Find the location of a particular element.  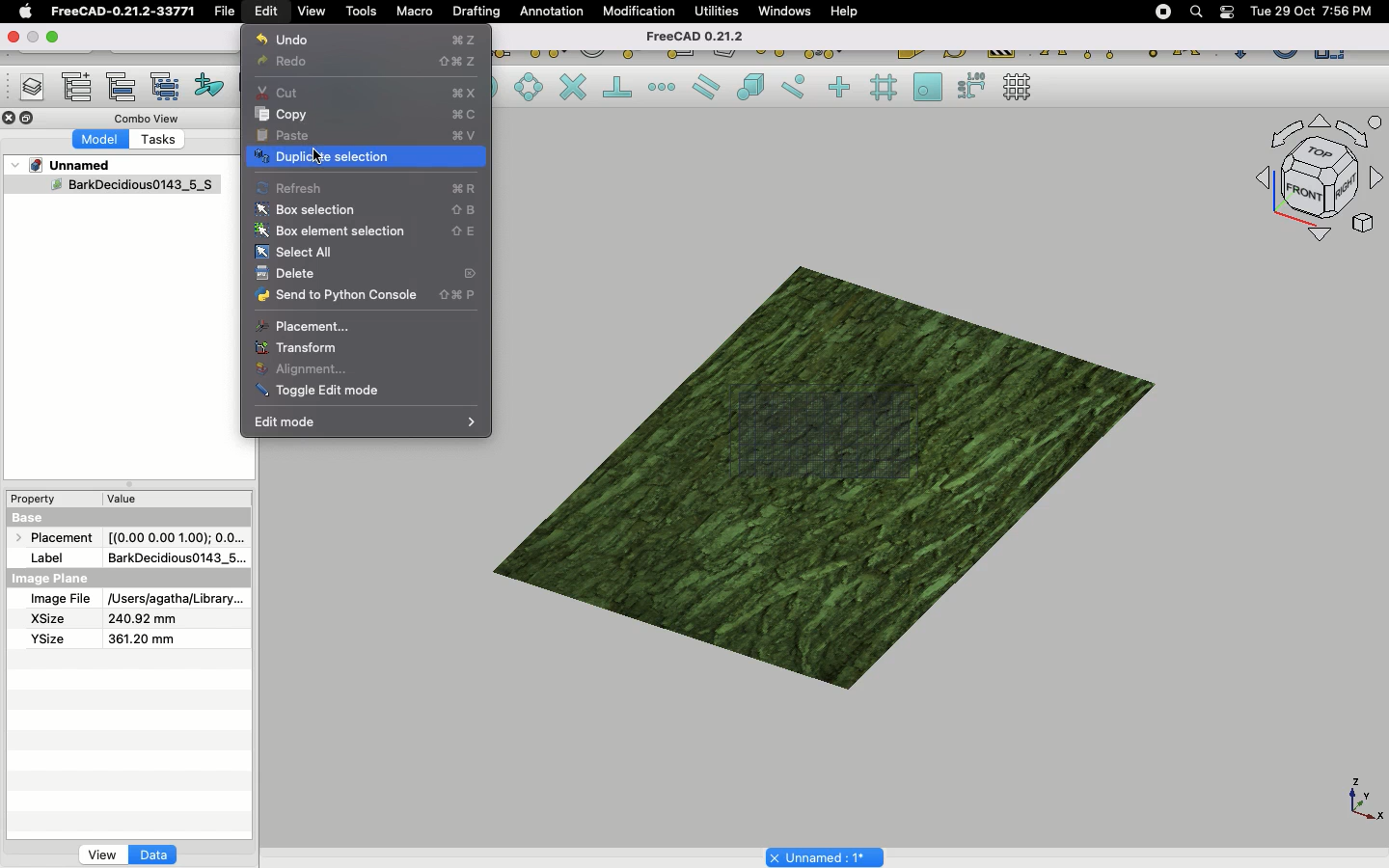

Undo is located at coordinates (367, 40).